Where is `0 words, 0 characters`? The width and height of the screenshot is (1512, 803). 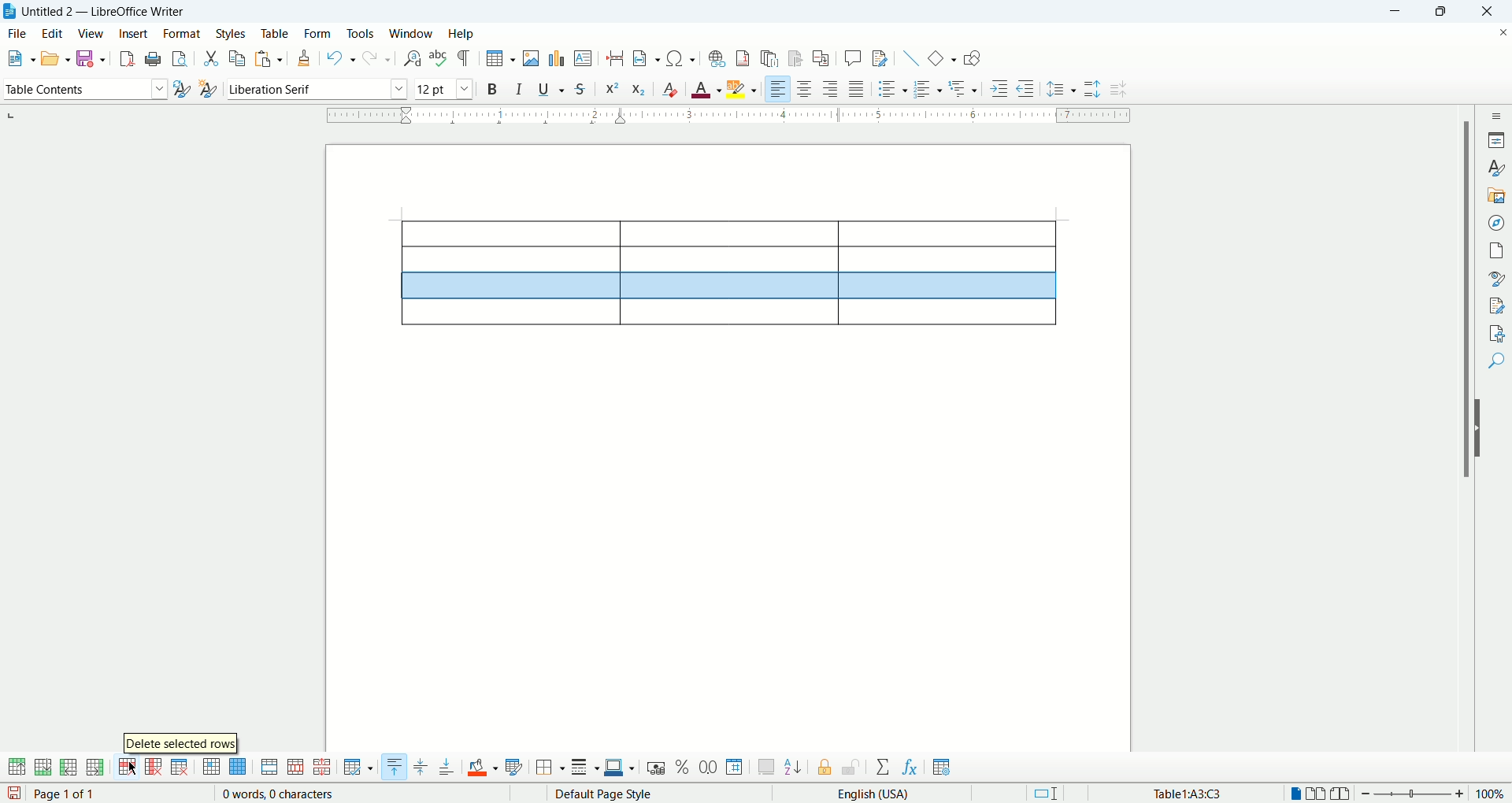
0 words, 0 characters is located at coordinates (266, 794).